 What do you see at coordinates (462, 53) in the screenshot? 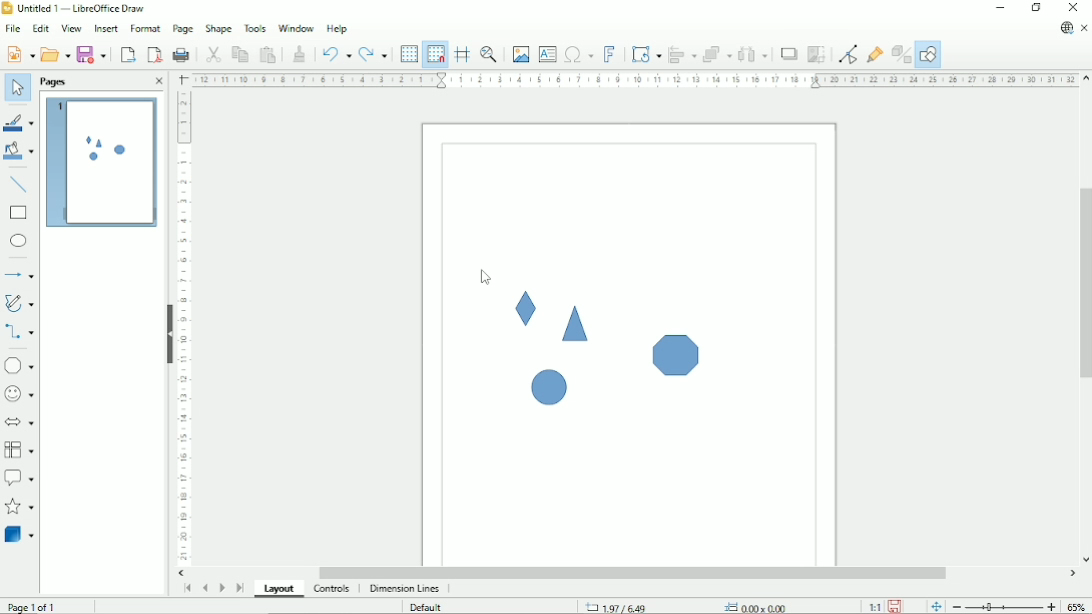
I see `Helplines while moving` at bounding box center [462, 53].